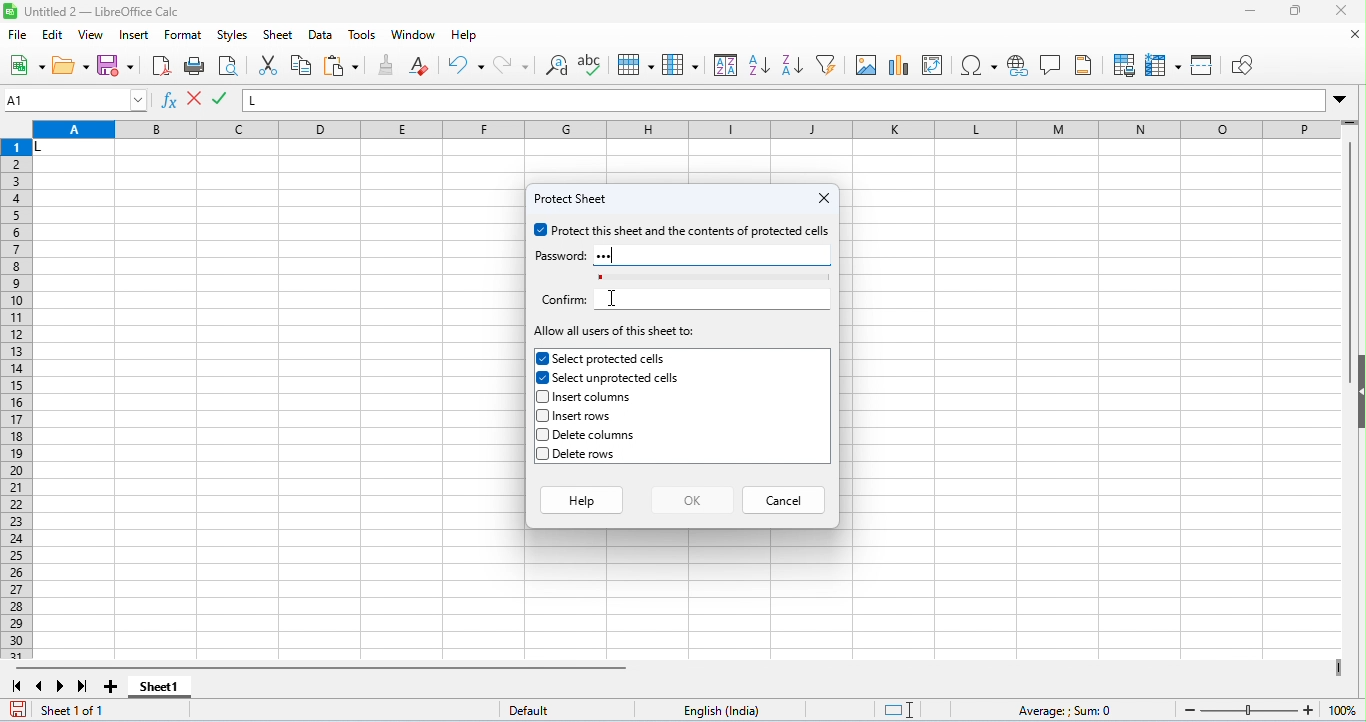 The height and width of the screenshot is (722, 1366). I want to click on formula, so click(1067, 711).